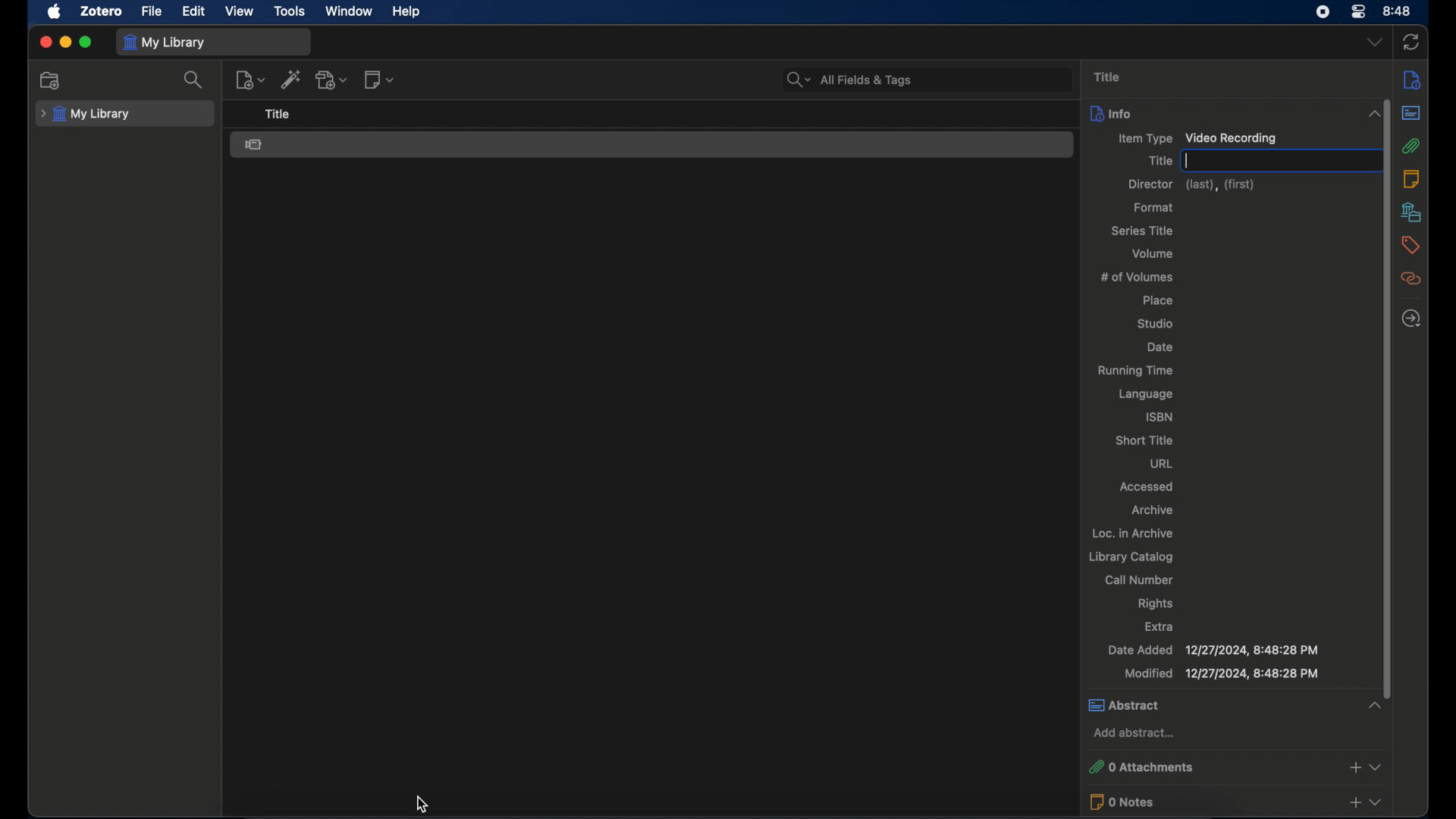 The height and width of the screenshot is (819, 1456). What do you see at coordinates (1414, 319) in the screenshot?
I see `locate` at bounding box center [1414, 319].